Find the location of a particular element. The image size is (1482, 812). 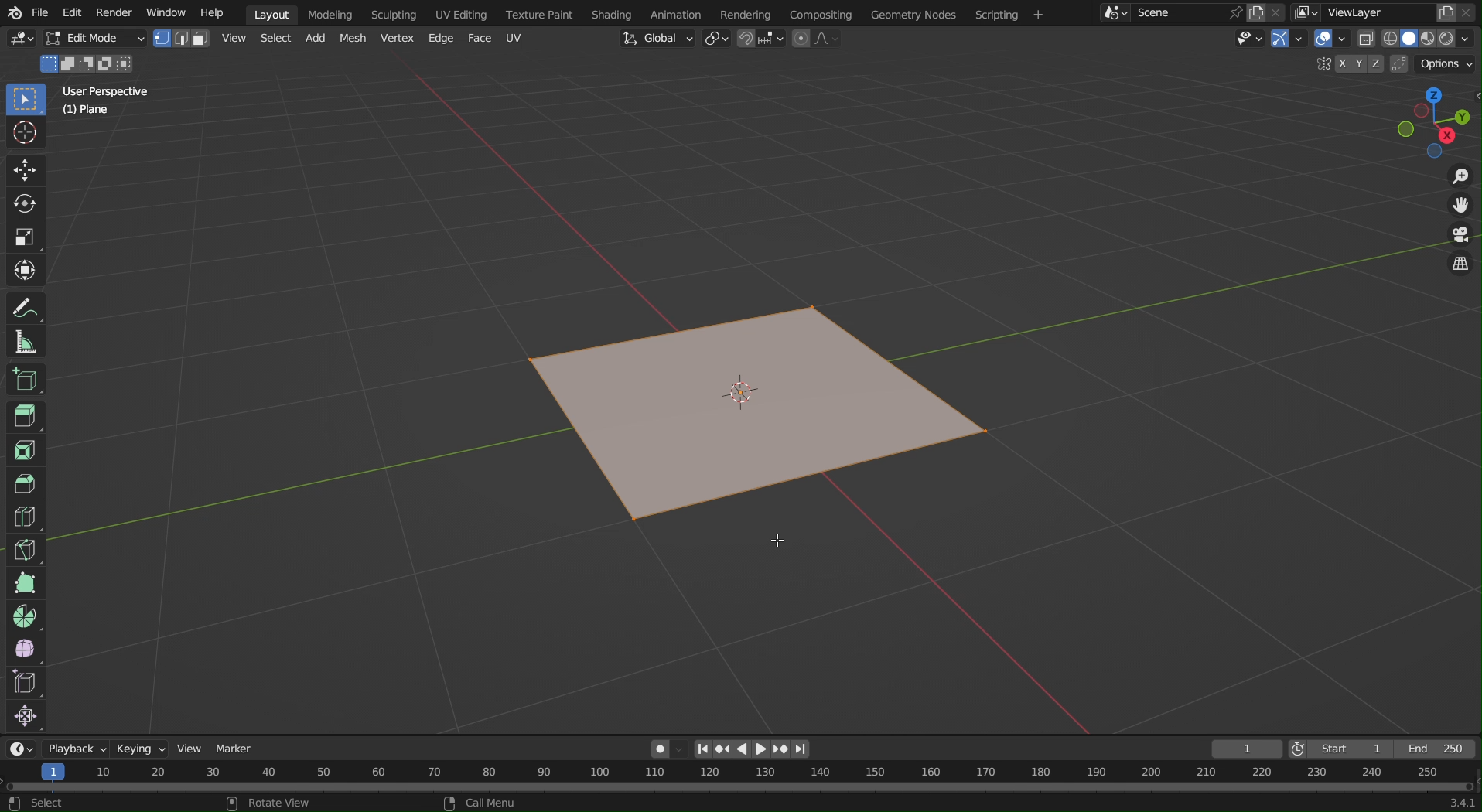

close is located at coordinates (1470, 13).